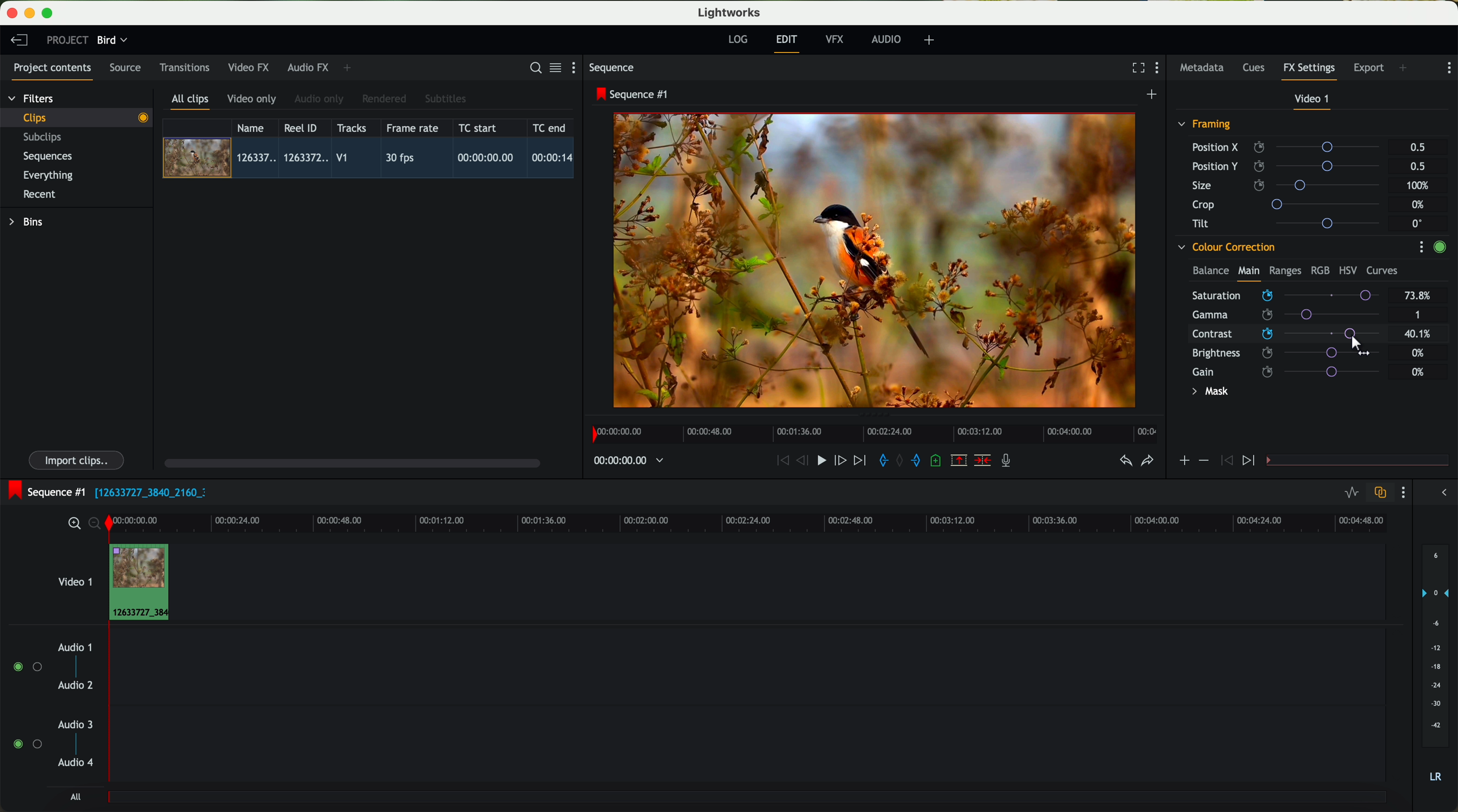 The image size is (1458, 812). Describe the element at coordinates (1010, 462) in the screenshot. I see `record a voice-over` at that location.